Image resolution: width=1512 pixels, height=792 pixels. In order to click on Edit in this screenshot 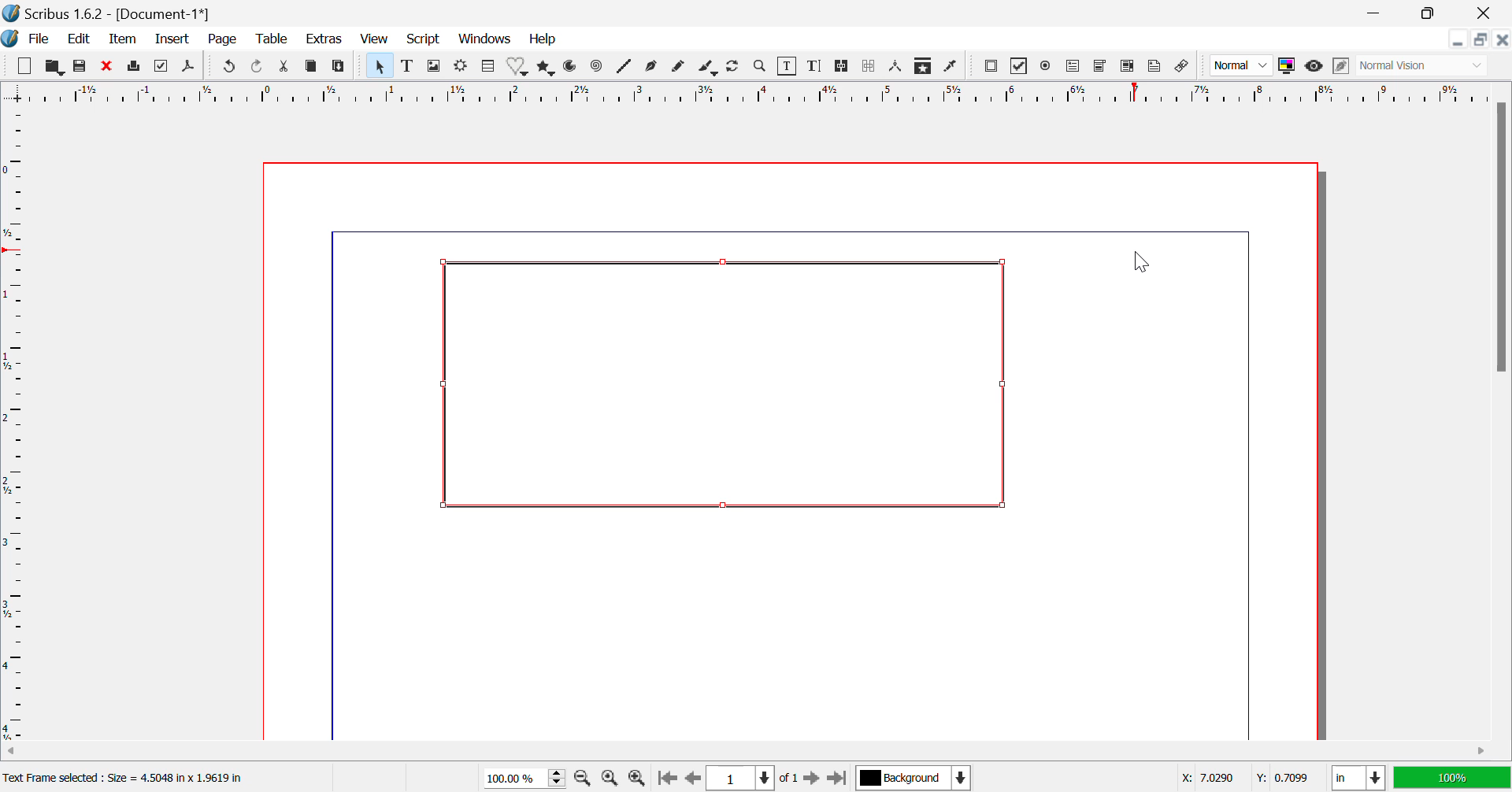, I will do `click(81, 41)`.